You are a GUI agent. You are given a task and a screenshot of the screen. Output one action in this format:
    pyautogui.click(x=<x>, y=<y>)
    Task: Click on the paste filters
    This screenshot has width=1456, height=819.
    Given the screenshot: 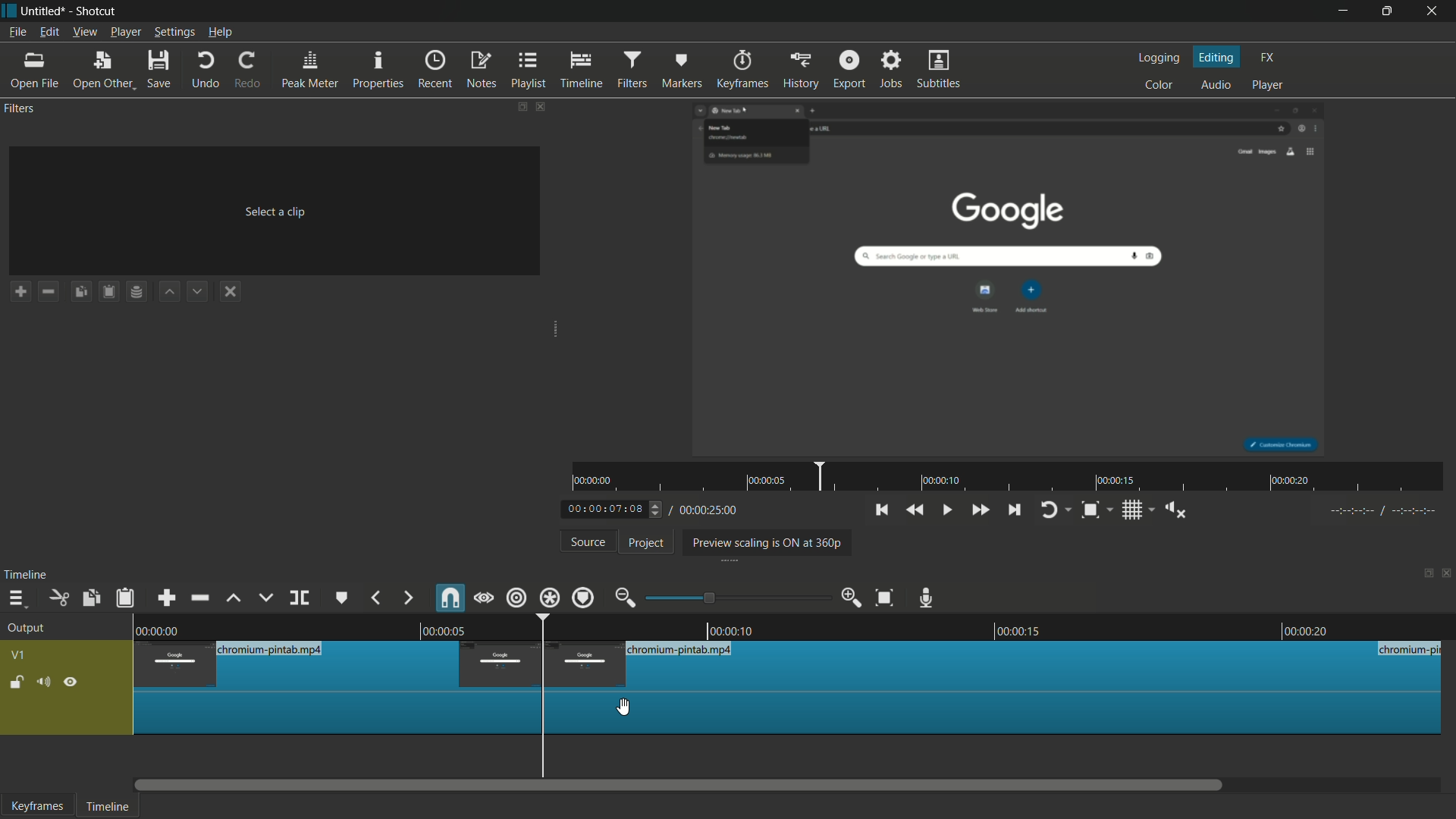 What is the action you would take?
    pyautogui.click(x=110, y=291)
    